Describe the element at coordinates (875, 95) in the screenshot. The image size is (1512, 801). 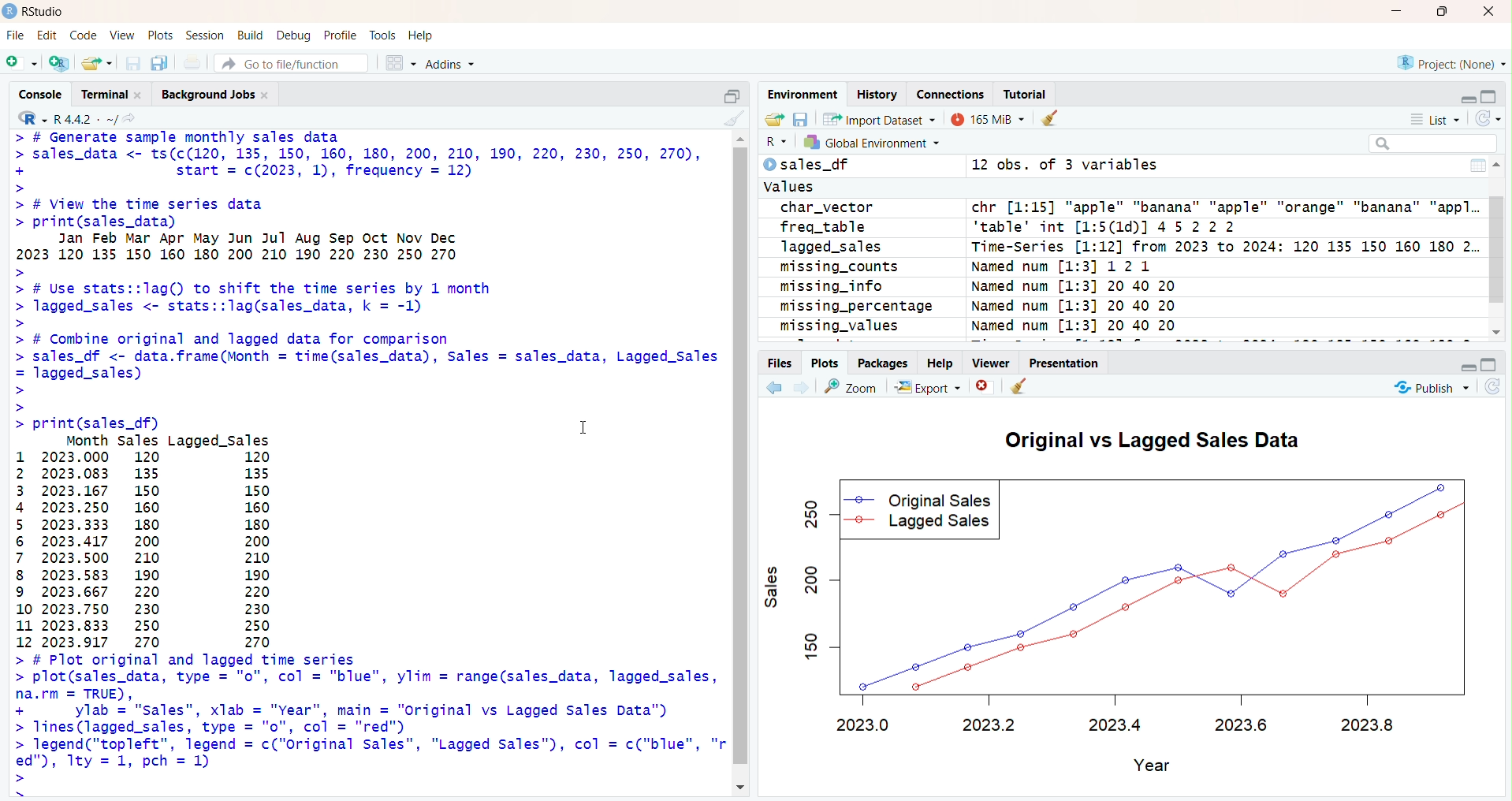
I see `history` at that location.